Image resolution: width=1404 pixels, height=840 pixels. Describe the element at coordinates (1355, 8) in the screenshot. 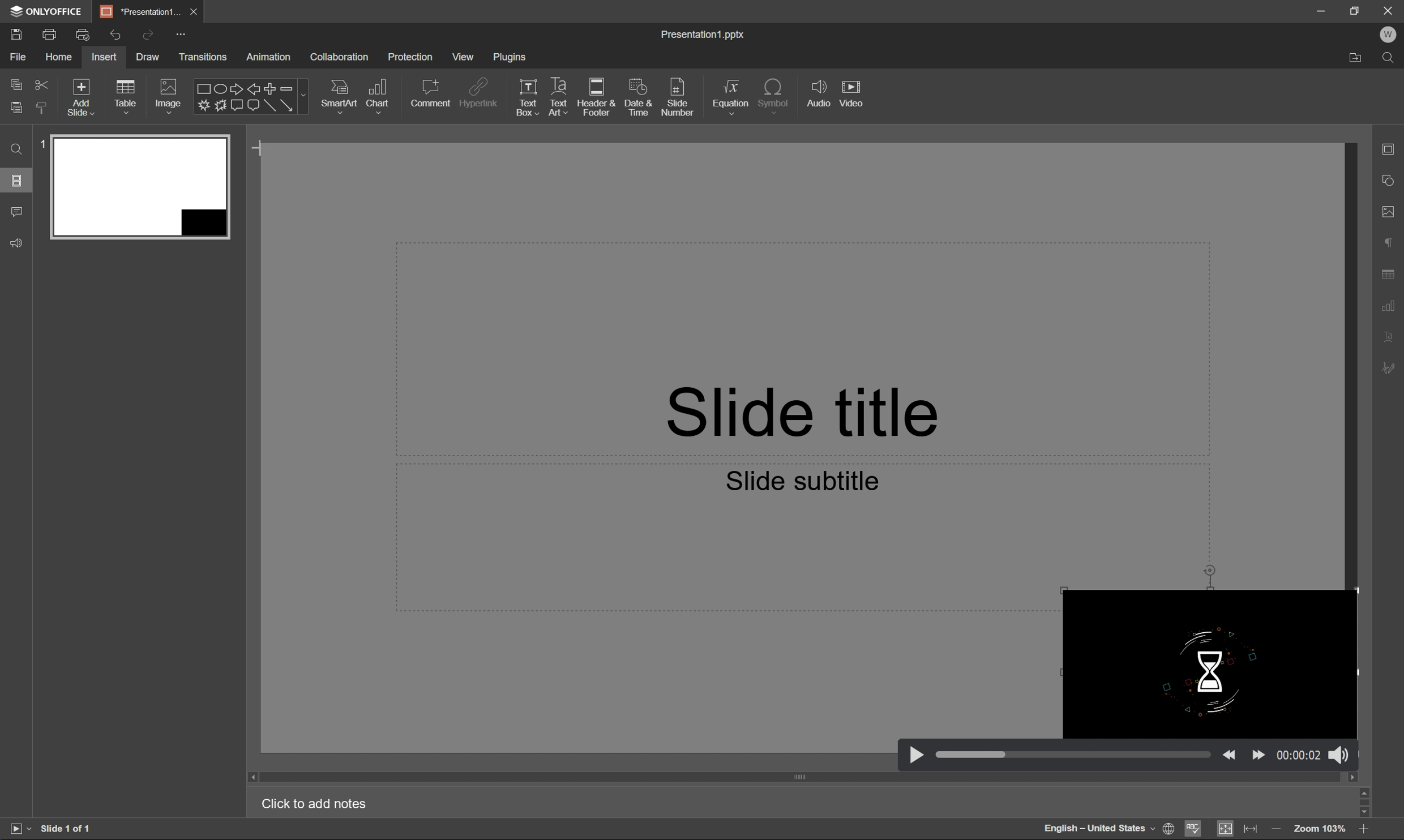

I see `restore down` at that location.